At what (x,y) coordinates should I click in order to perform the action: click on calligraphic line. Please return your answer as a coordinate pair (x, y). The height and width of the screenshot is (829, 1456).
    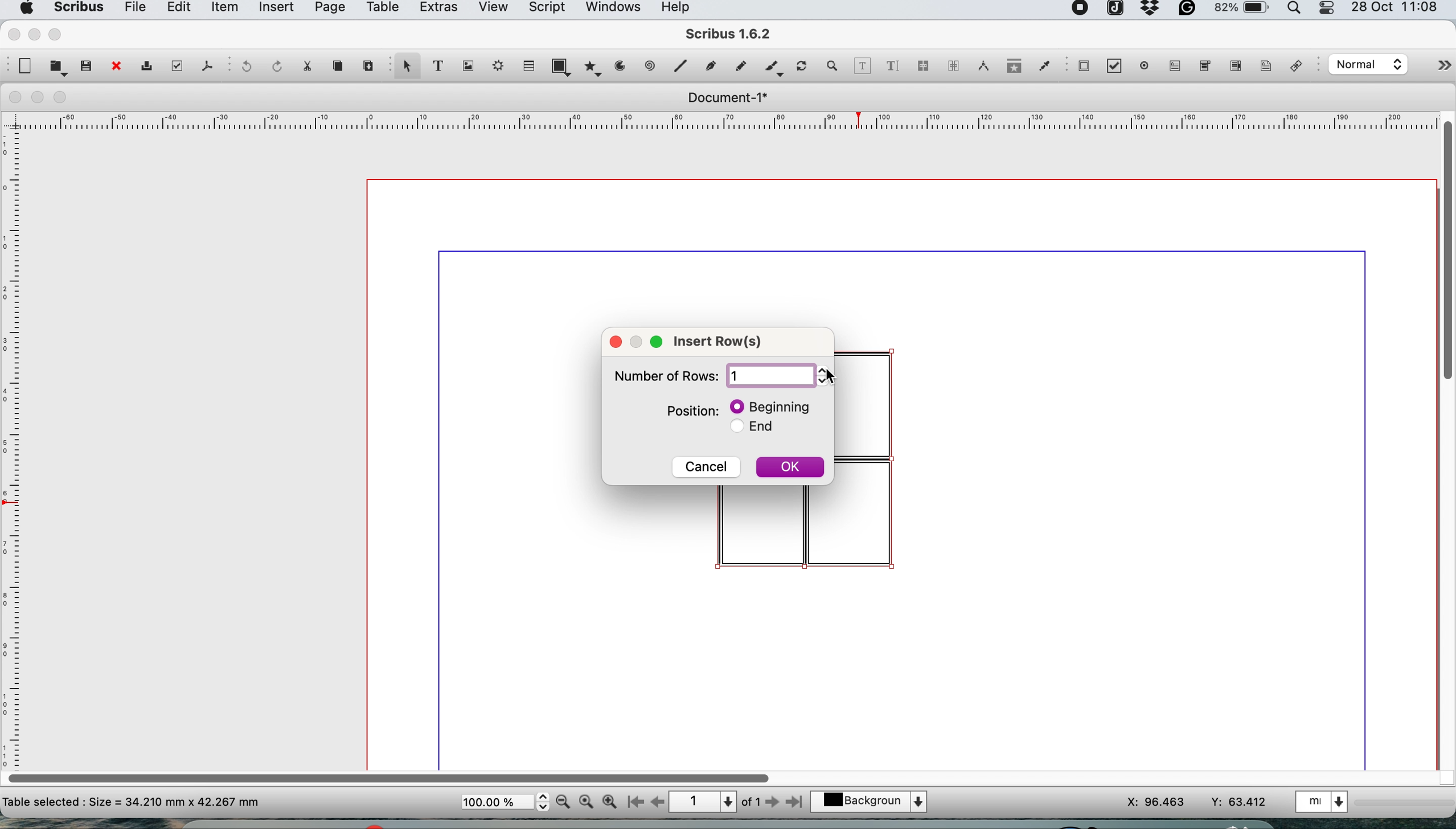
    Looking at the image, I should click on (772, 69).